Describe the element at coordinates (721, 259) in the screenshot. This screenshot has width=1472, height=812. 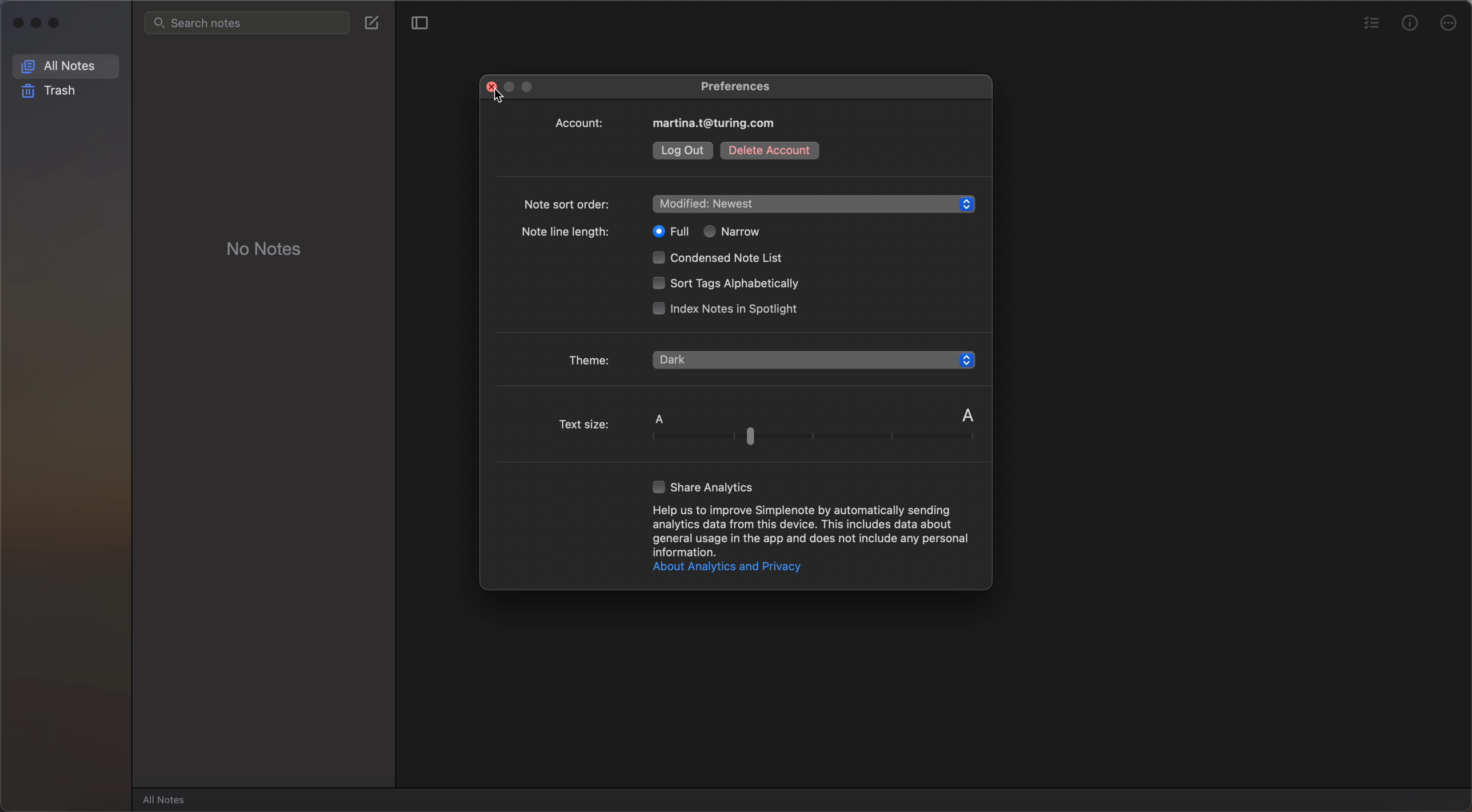
I see `condensed note list` at that location.